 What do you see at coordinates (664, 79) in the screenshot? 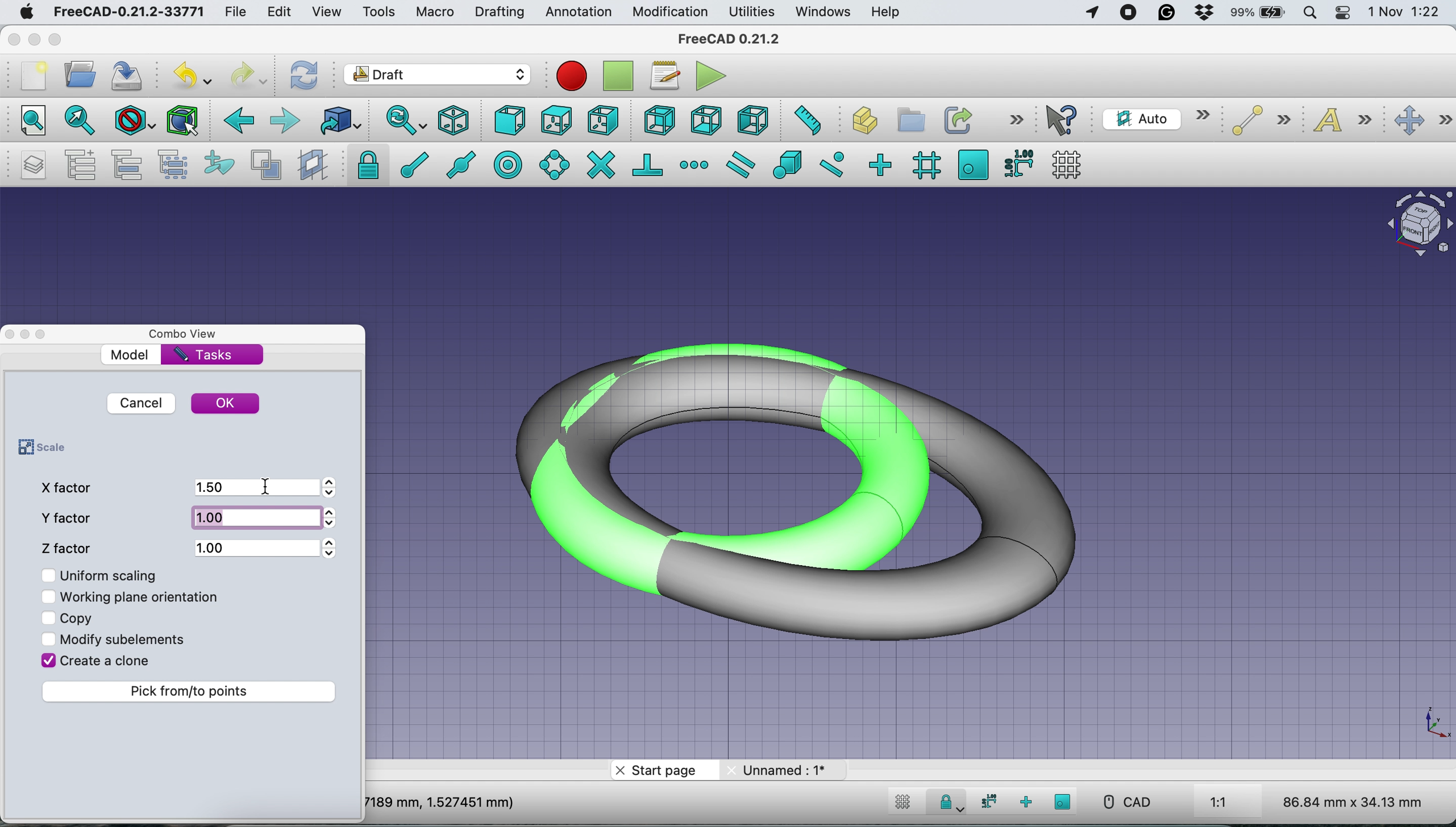
I see `macros` at bounding box center [664, 79].